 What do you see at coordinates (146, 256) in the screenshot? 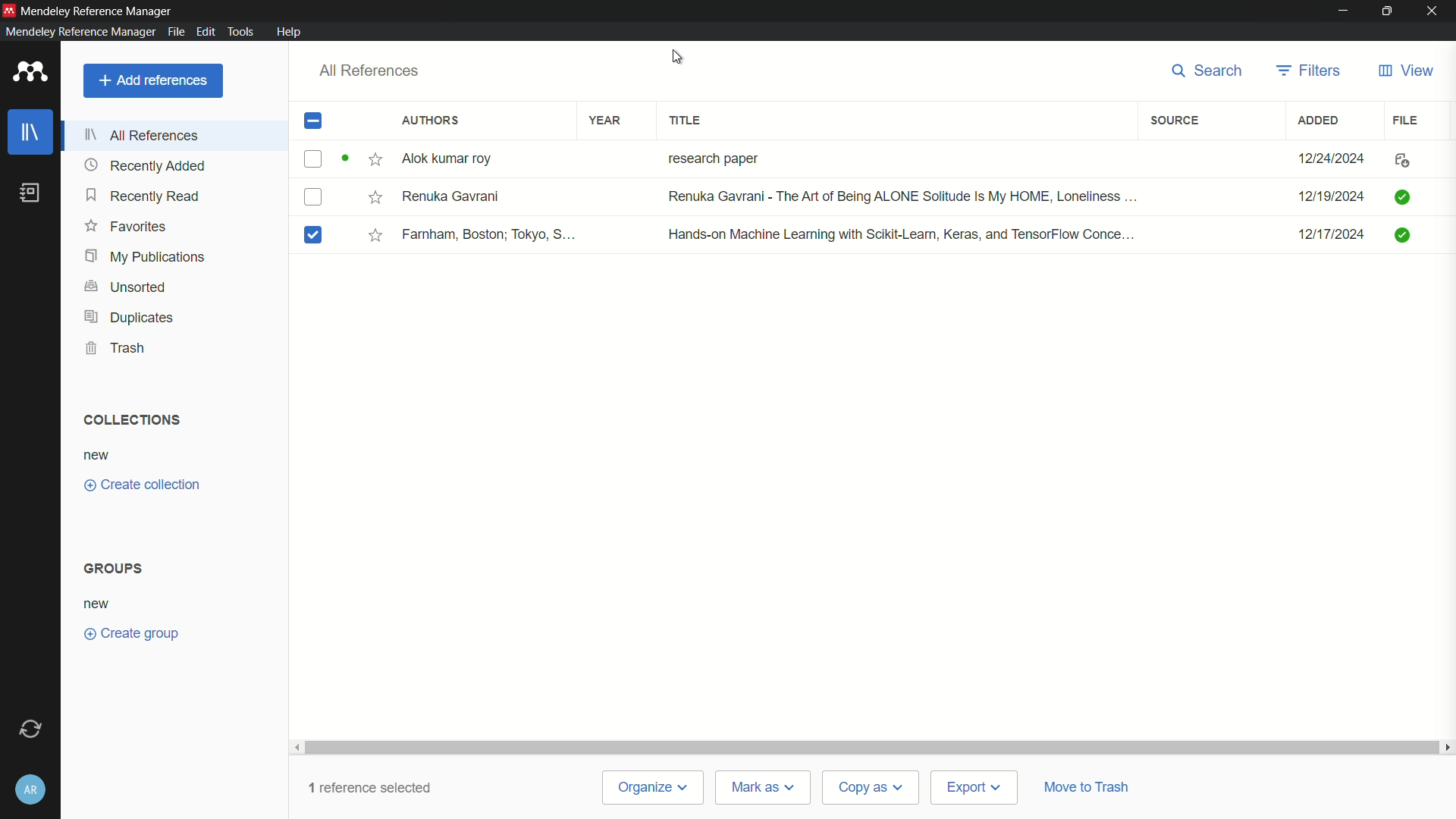
I see `my publications` at bounding box center [146, 256].